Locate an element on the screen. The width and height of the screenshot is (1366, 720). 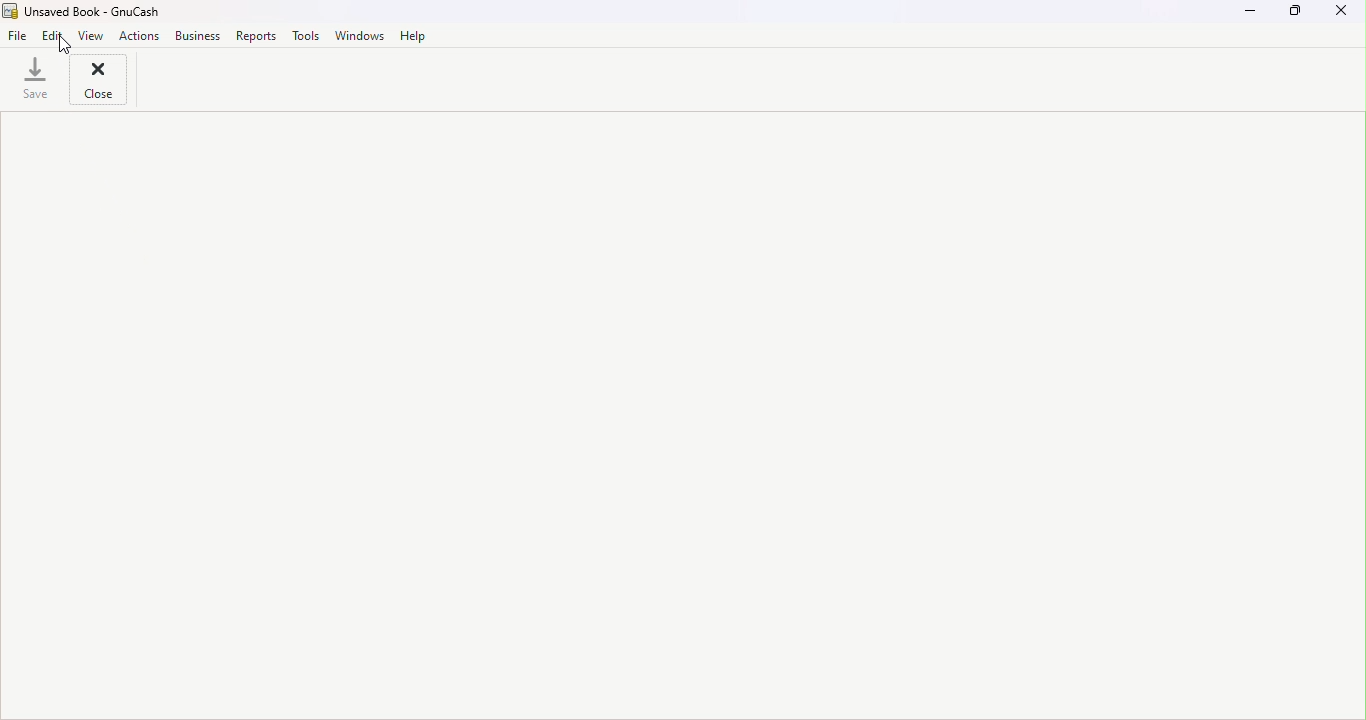
View is located at coordinates (93, 36).